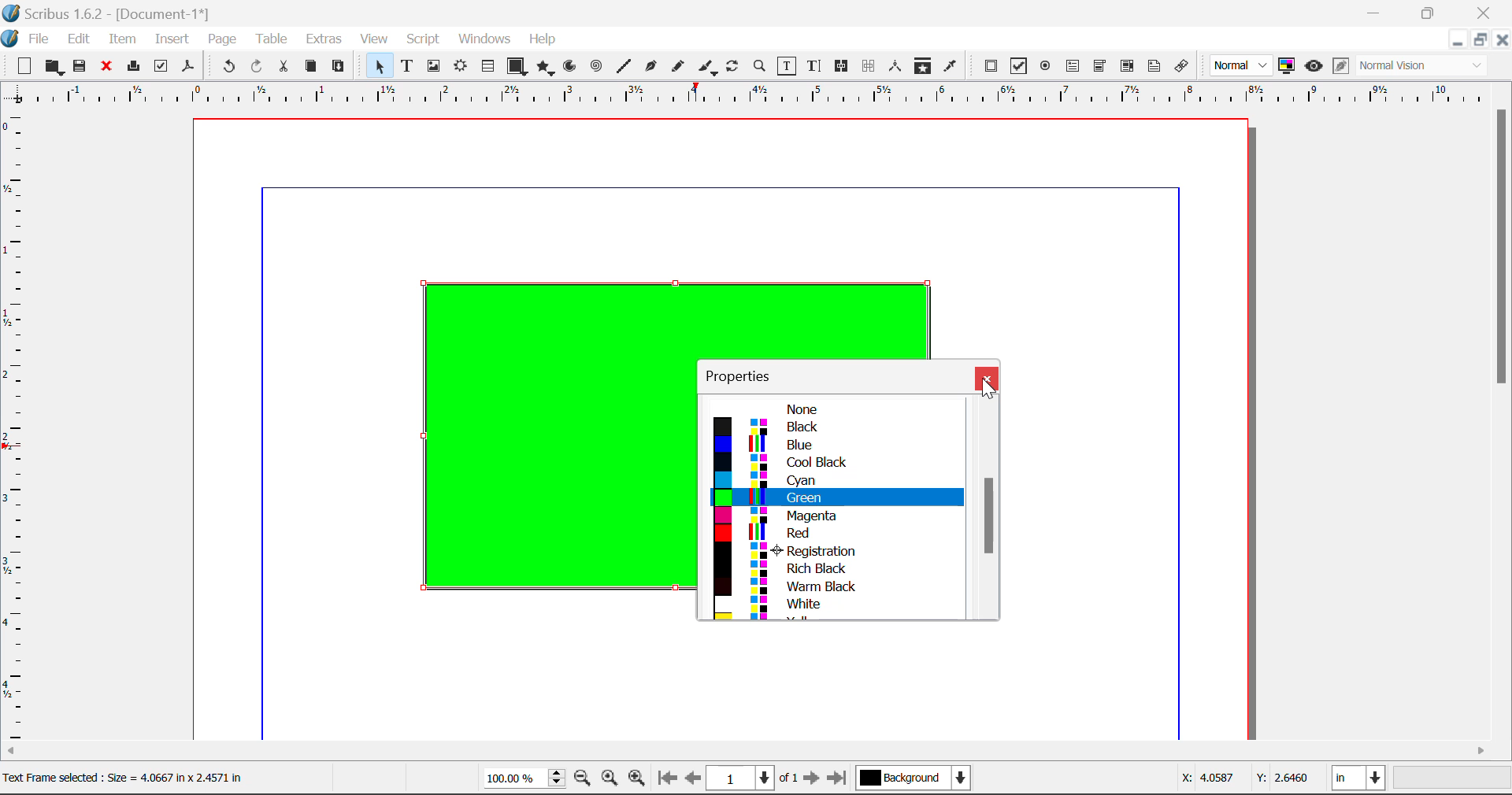  What do you see at coordinates (991, 65) in the screenshot?
I see `Pdf Push Button` at bounding box center [991, 65].